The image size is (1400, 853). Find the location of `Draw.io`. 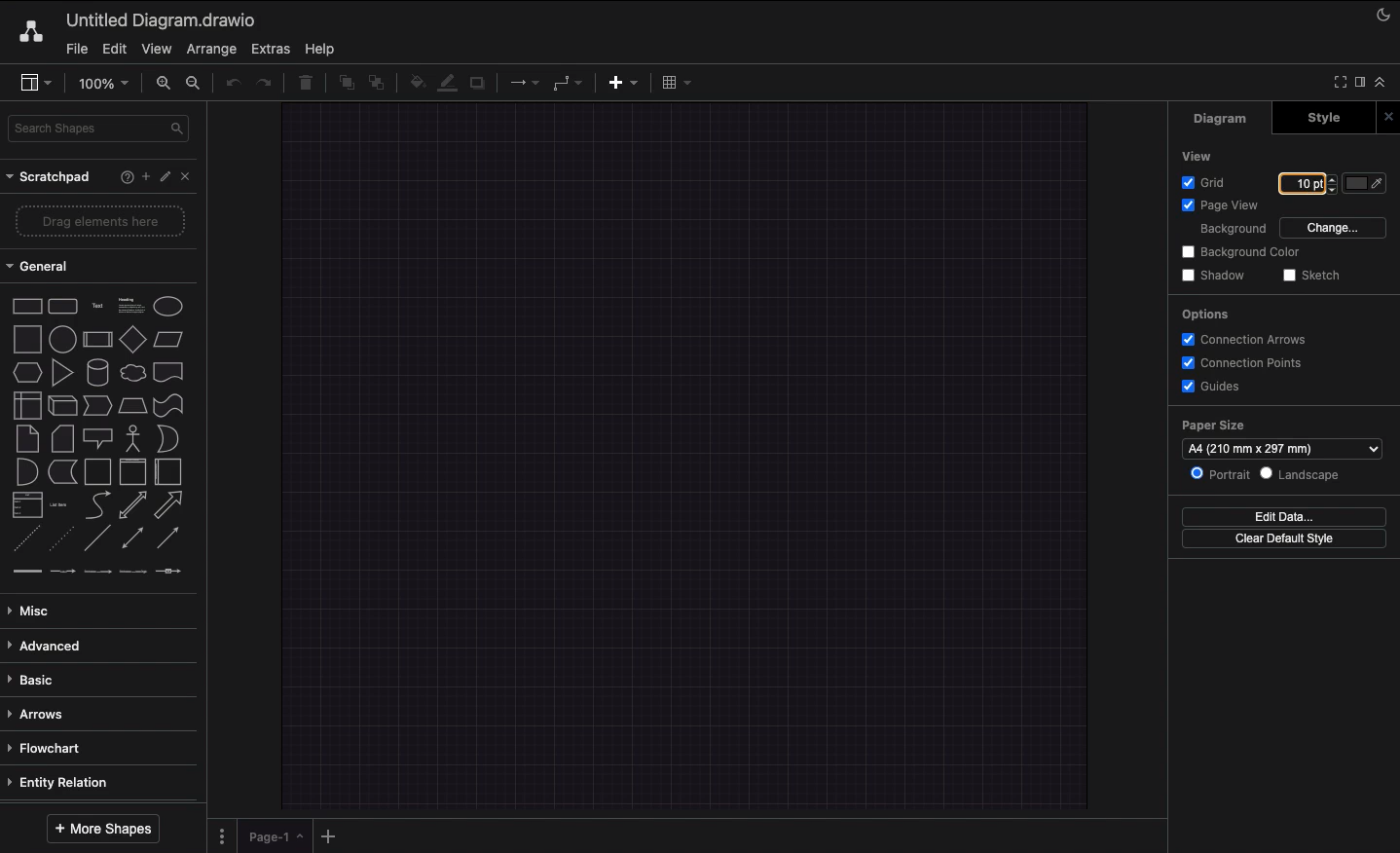

Draw.io is located at coordinates (34, 33).